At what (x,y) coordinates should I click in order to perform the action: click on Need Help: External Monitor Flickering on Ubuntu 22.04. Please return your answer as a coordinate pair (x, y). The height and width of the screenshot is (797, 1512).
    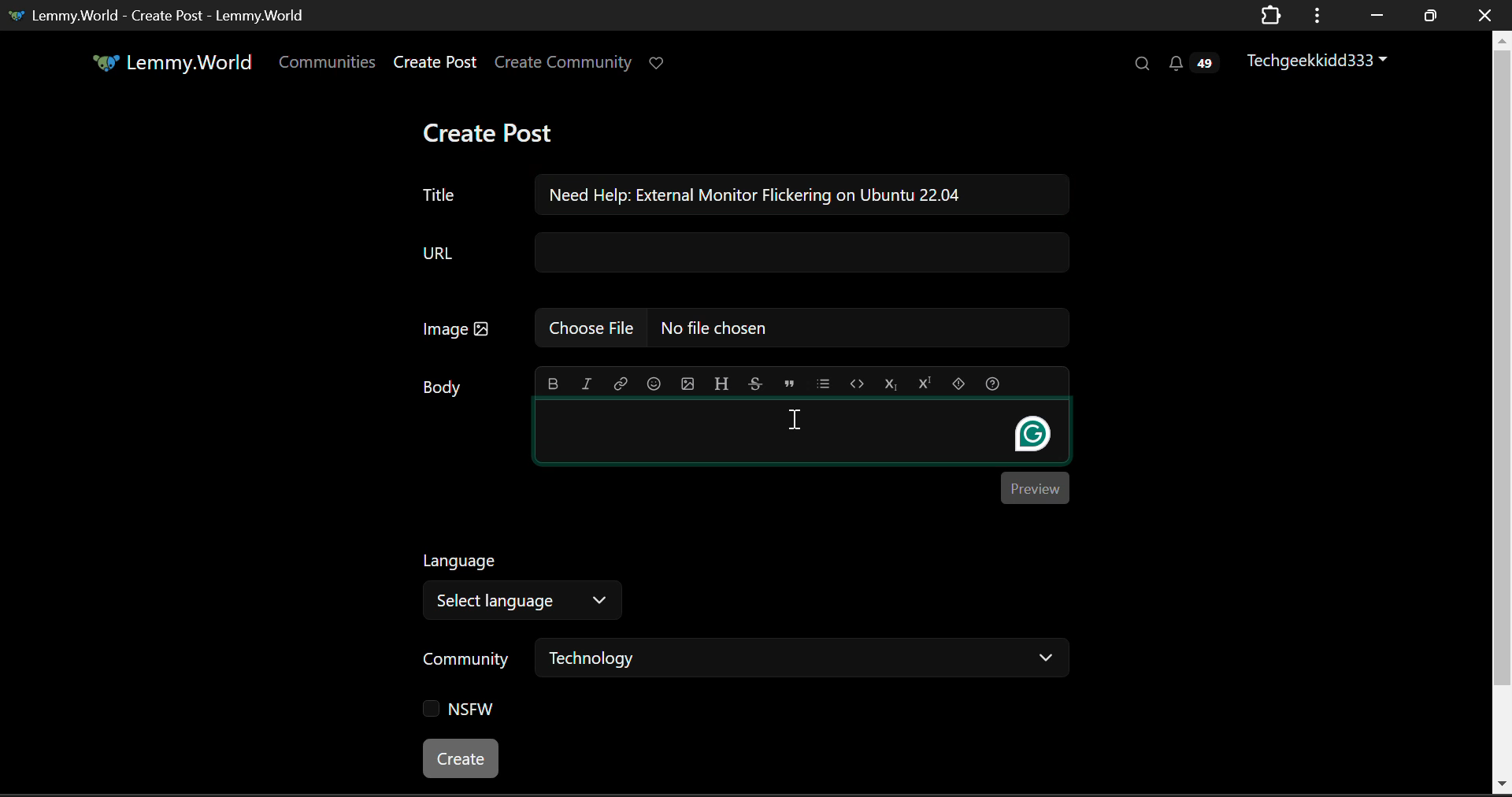
    Looking at the image, I should click on (795, 194).